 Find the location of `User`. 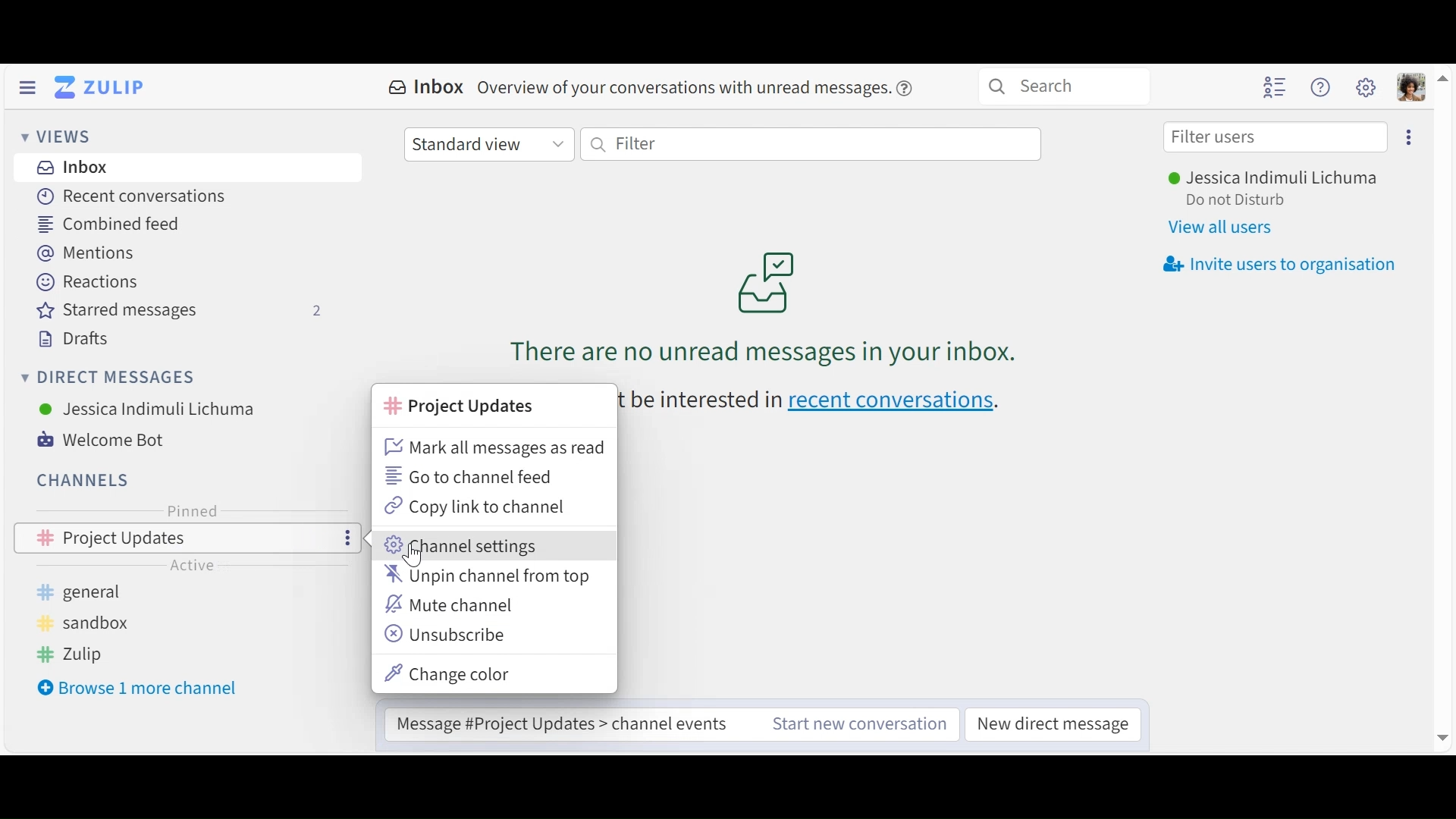

User is located at coordinates (149, 409).